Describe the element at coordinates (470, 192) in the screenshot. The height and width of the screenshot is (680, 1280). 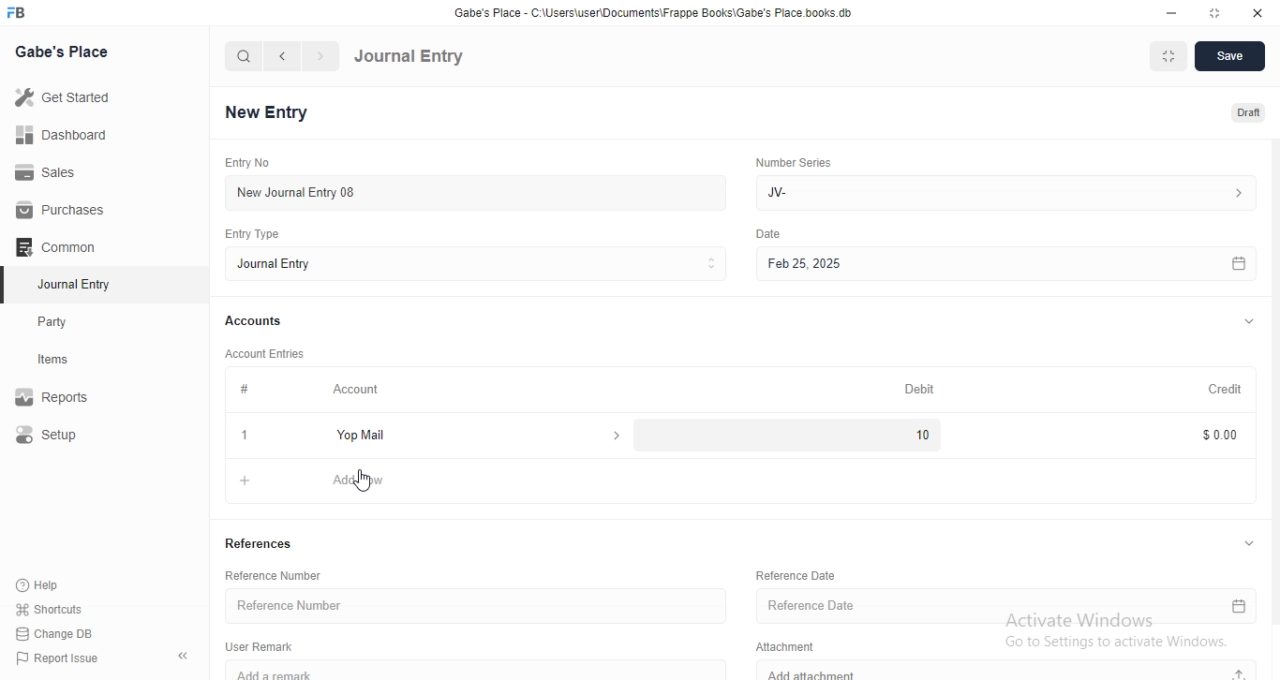
I see `New Journal Entry 08` at that location.